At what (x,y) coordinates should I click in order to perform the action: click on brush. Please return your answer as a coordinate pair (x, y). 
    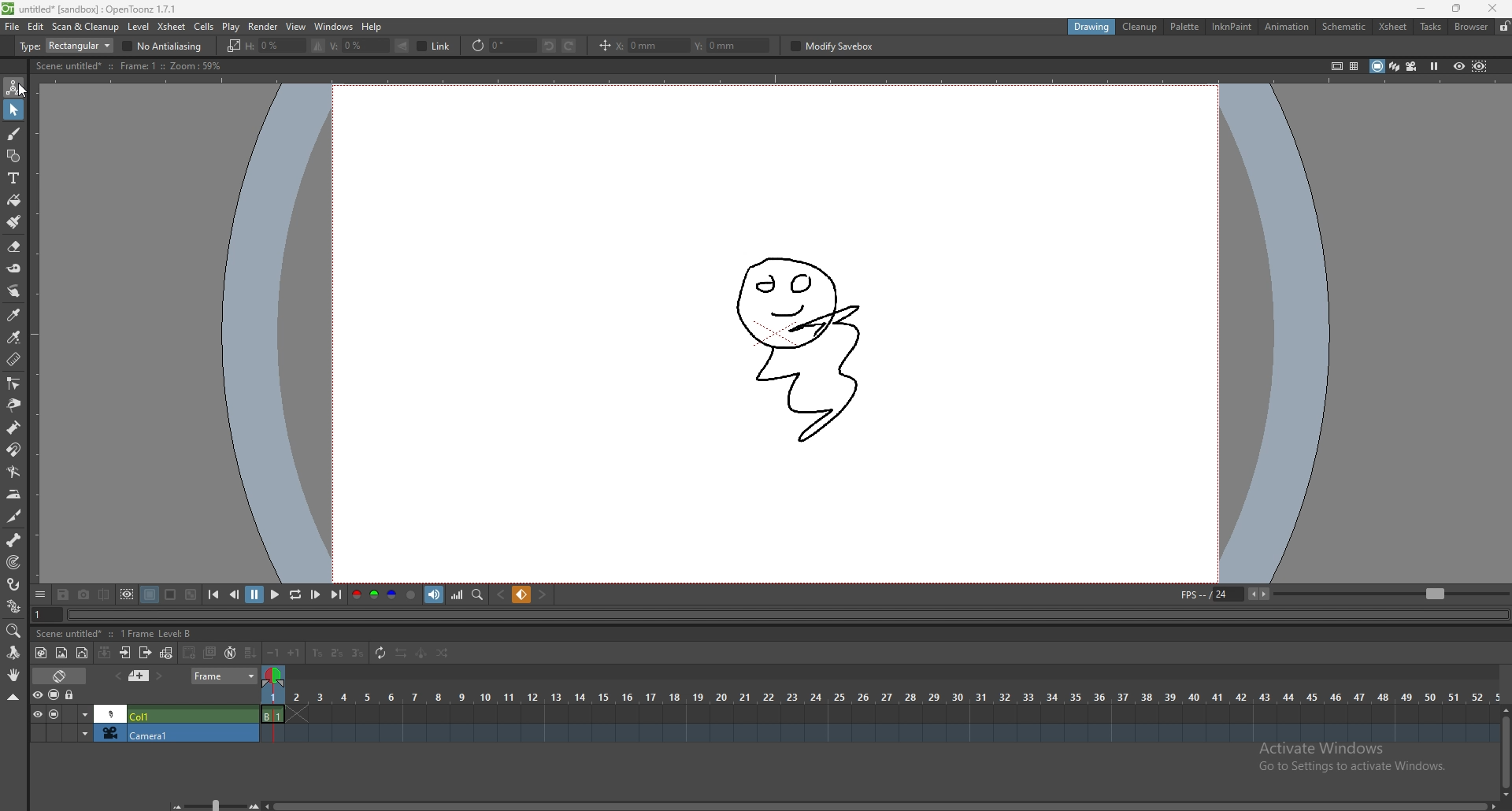
    Looking at the image, I should click on (14, 222).